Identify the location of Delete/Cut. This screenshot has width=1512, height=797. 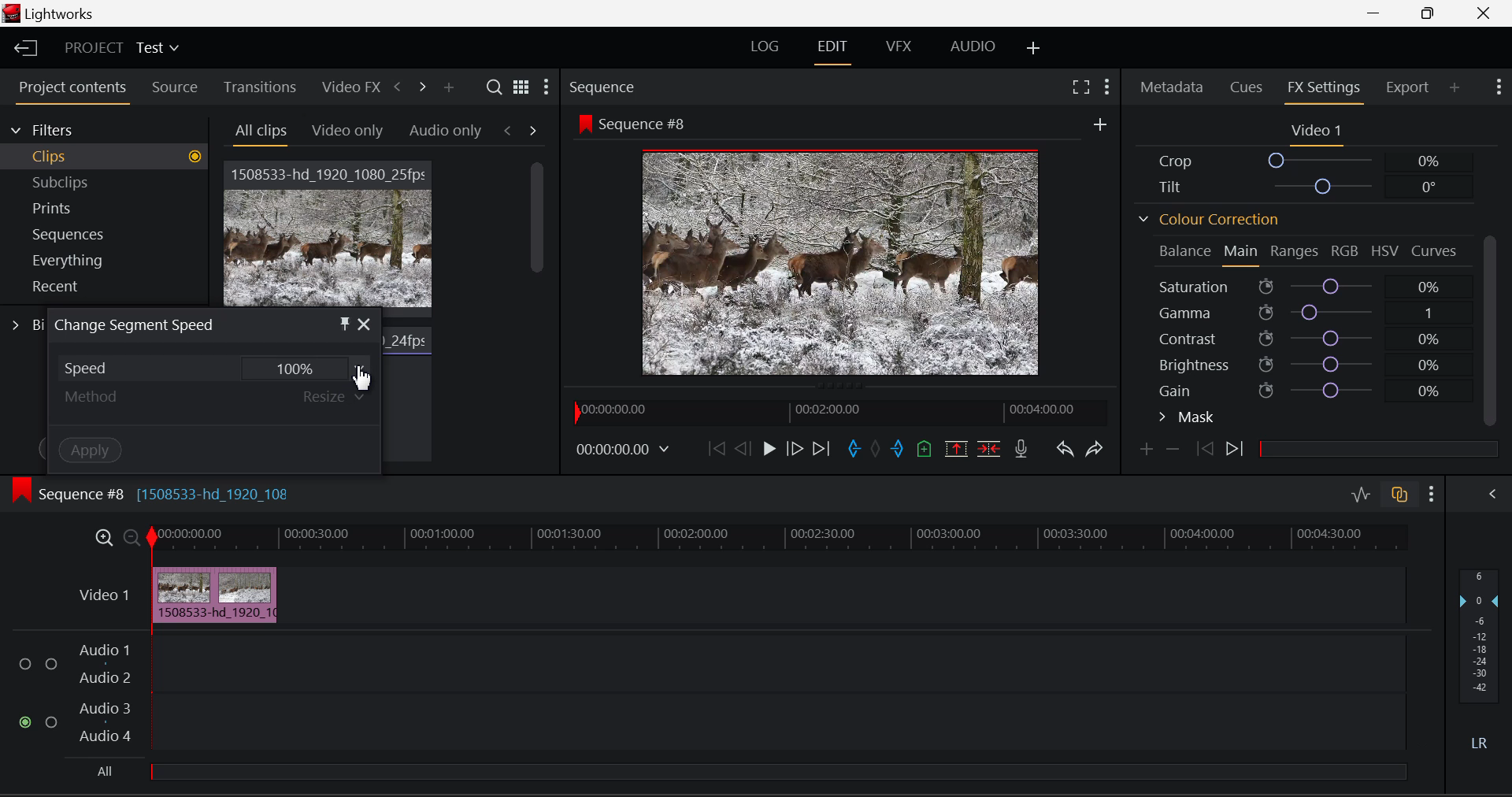
(989, 449).